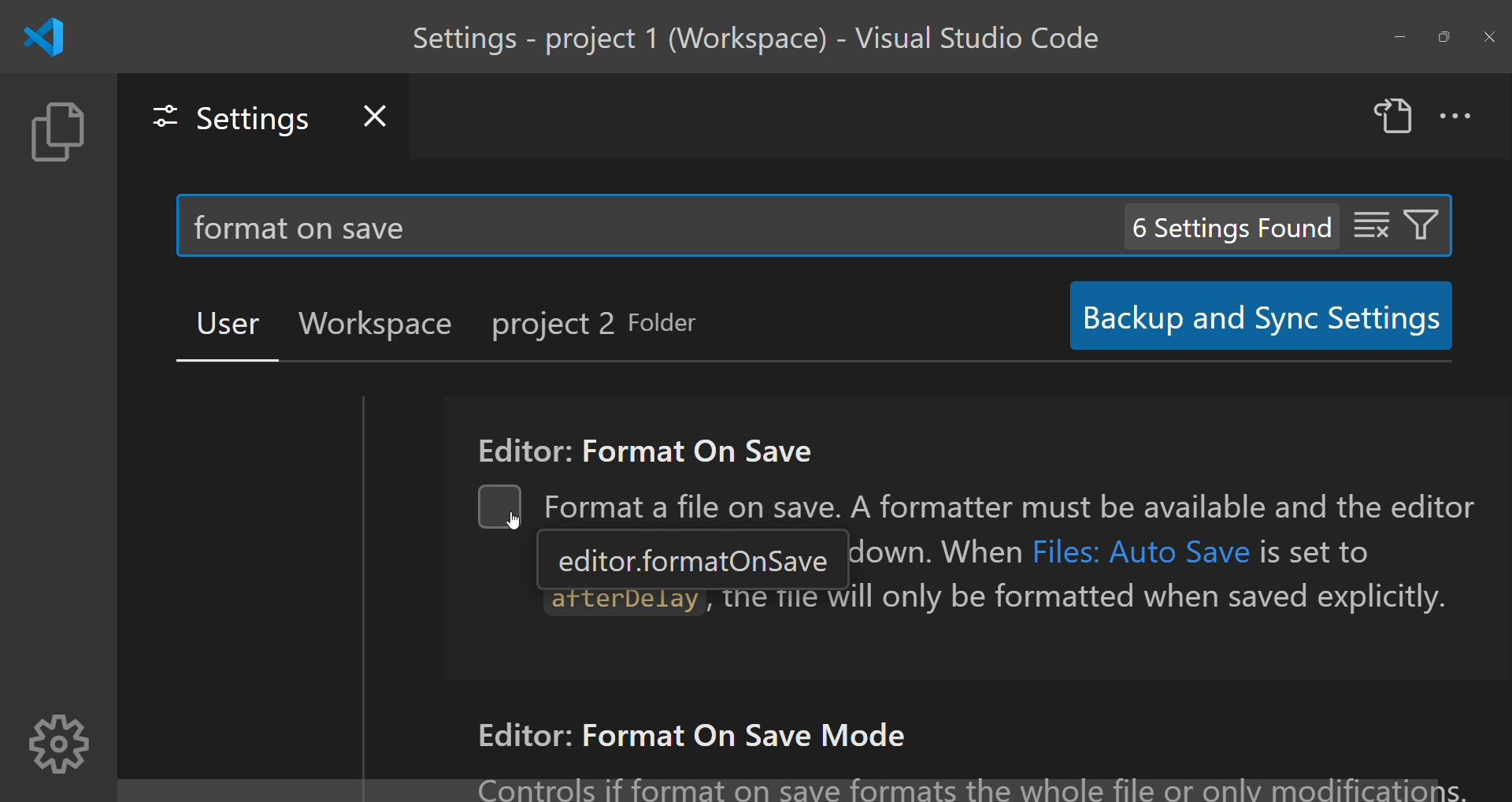 The image size is (1512, 802). Describe the element at coordinates (935, 551) in the screenshot. I see `down. When` at that location.